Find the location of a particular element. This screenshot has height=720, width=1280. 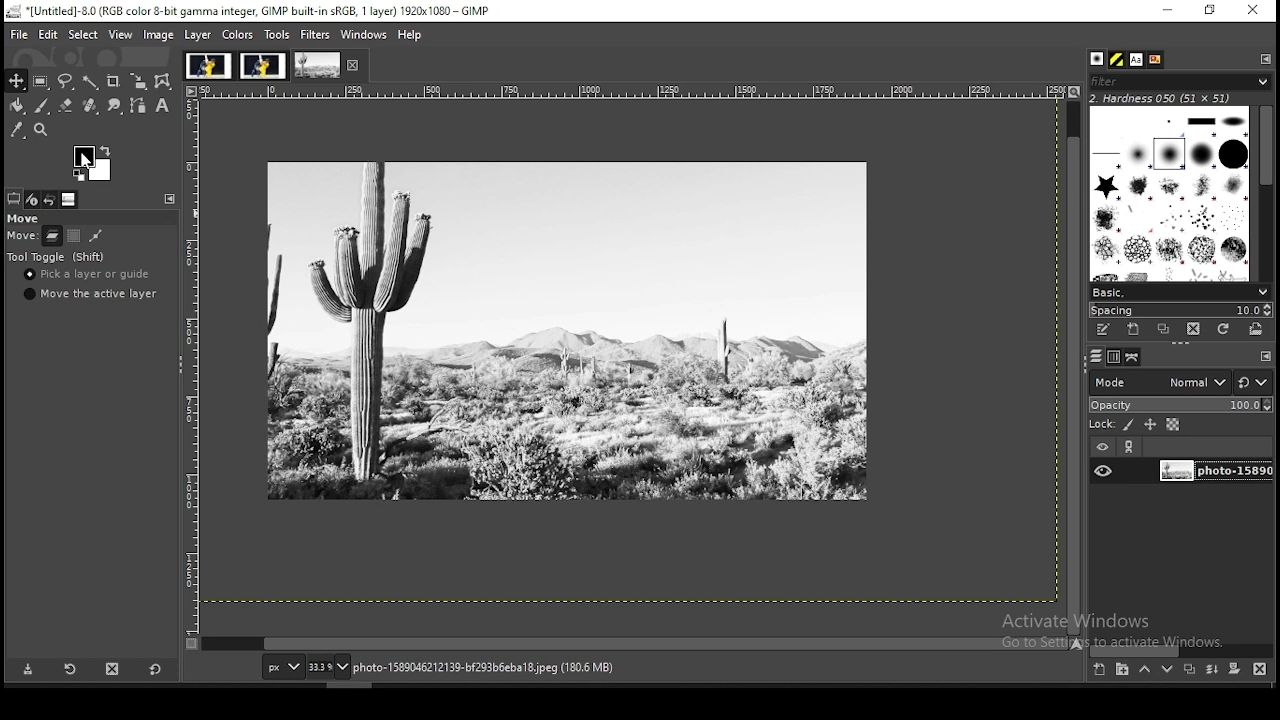

fuzzy selection tool is located at coordinates (92, 81).